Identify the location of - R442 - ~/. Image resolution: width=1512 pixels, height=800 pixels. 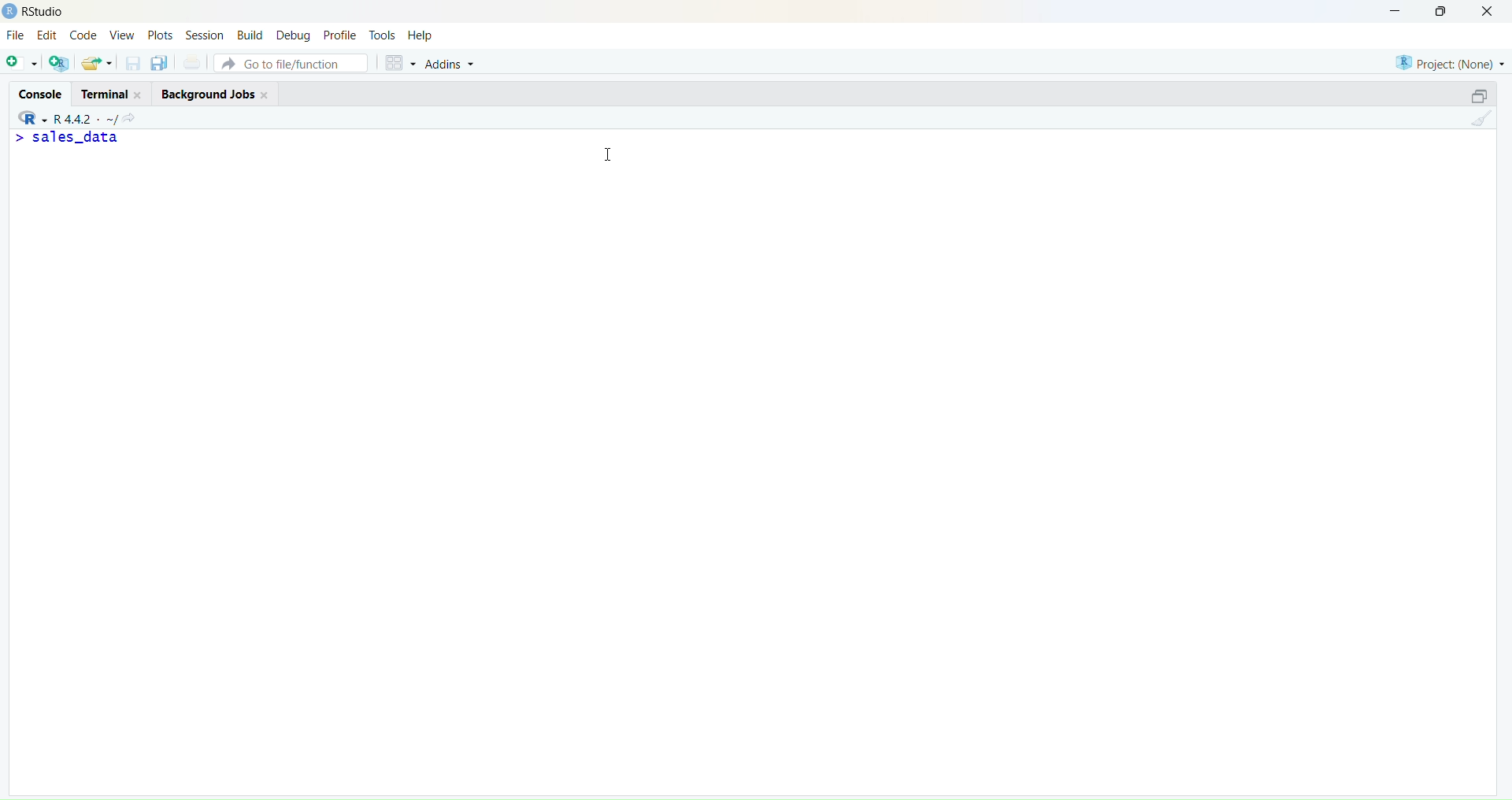
(87, 117).